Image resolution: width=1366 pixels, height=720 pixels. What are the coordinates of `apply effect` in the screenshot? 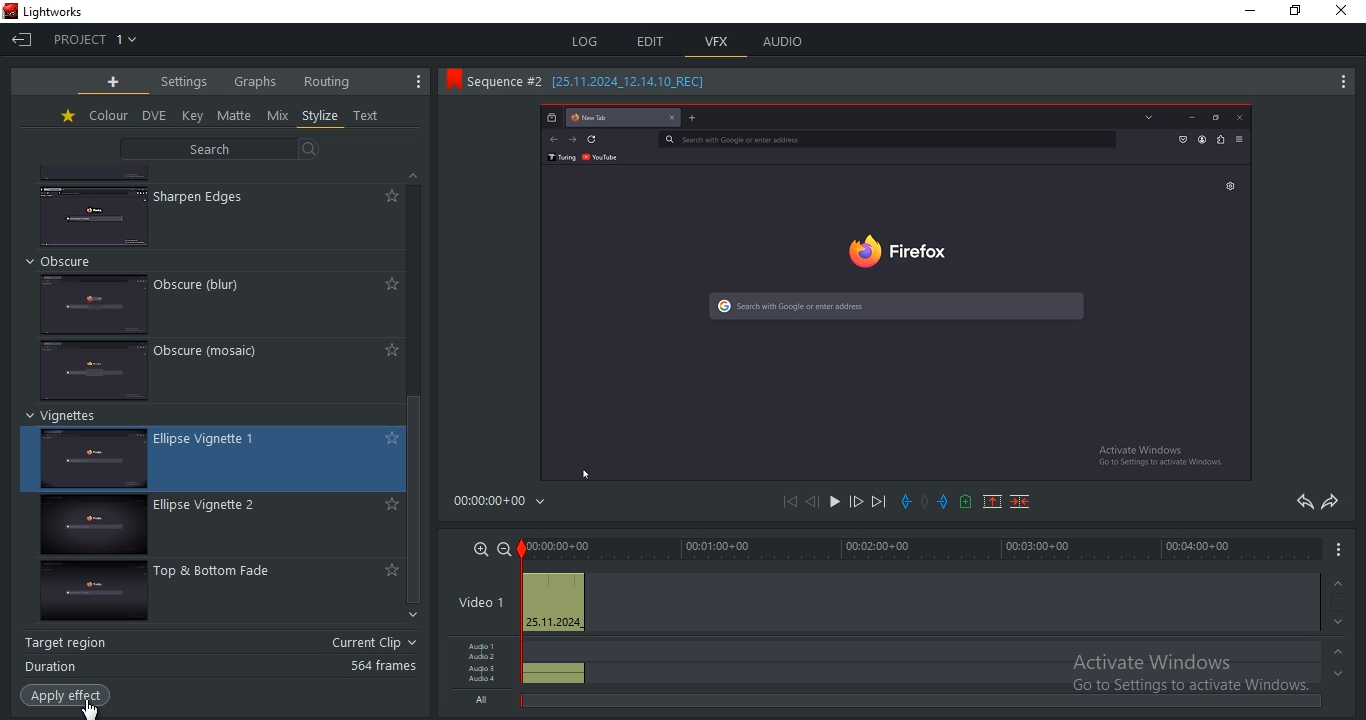 It's located at (68, 696).